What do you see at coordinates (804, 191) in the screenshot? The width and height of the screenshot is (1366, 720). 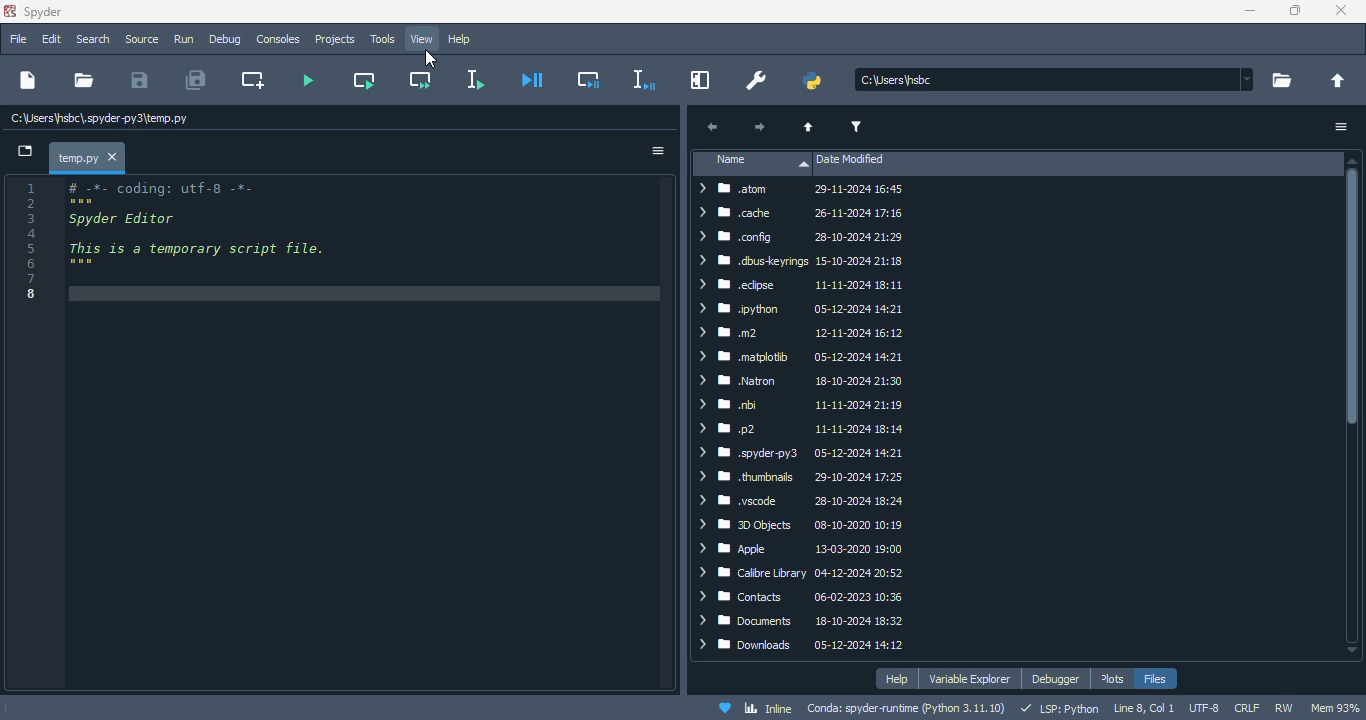 I see `.atom` at bounding box center [804, 191].